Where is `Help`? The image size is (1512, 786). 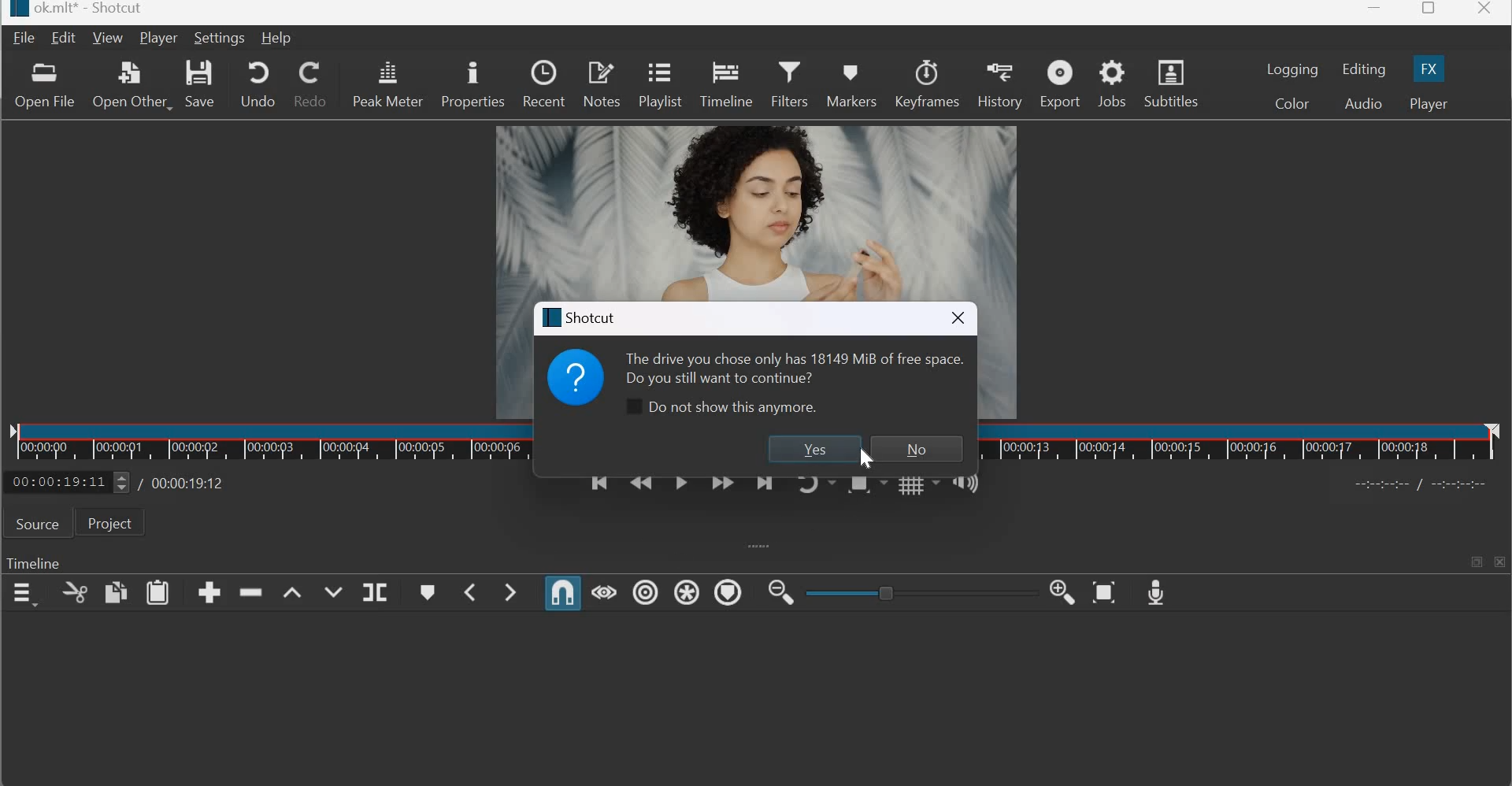 Help is located at coordinates (276, 38).